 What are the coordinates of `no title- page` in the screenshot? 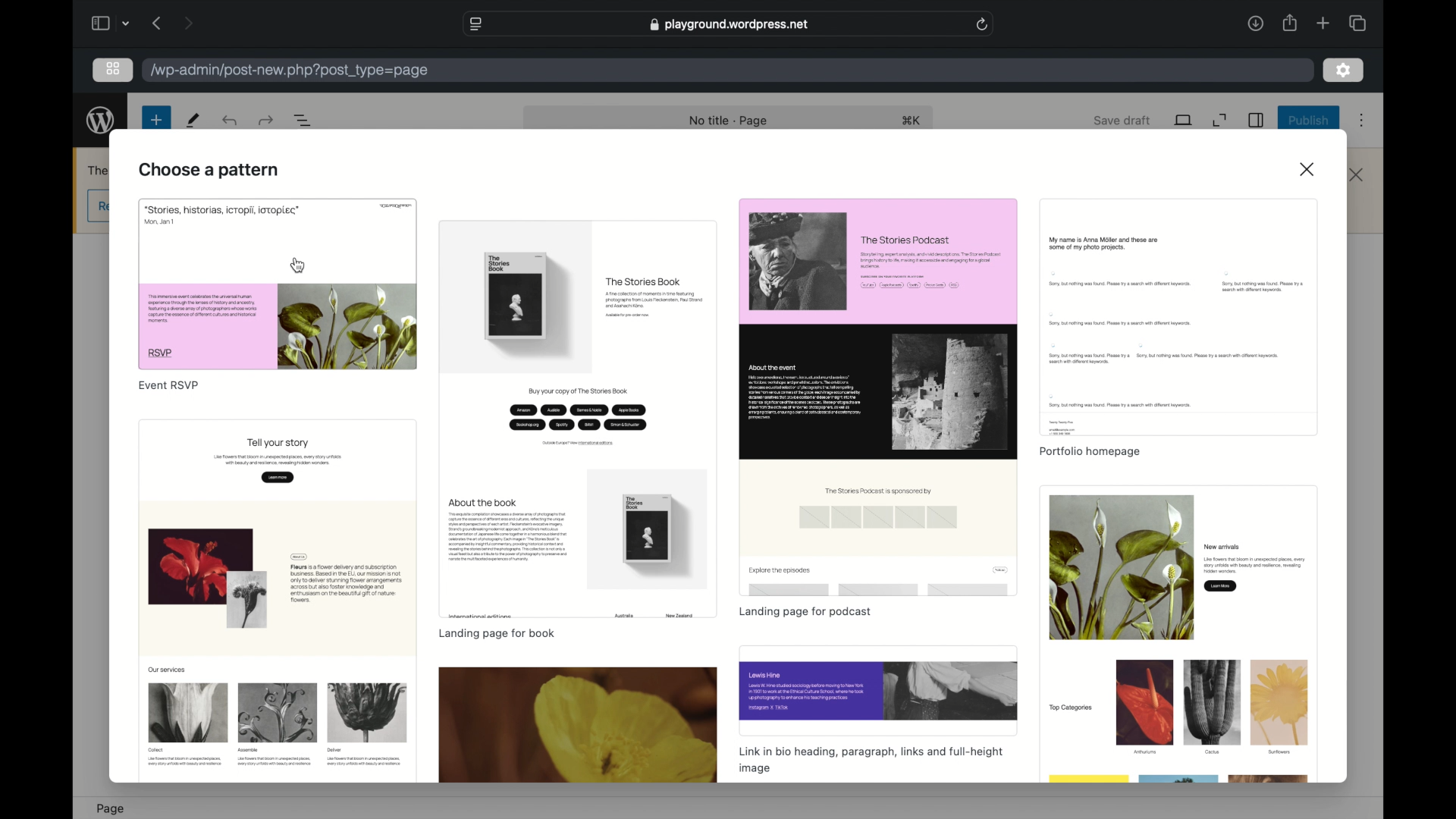 It's located at (728, 121).